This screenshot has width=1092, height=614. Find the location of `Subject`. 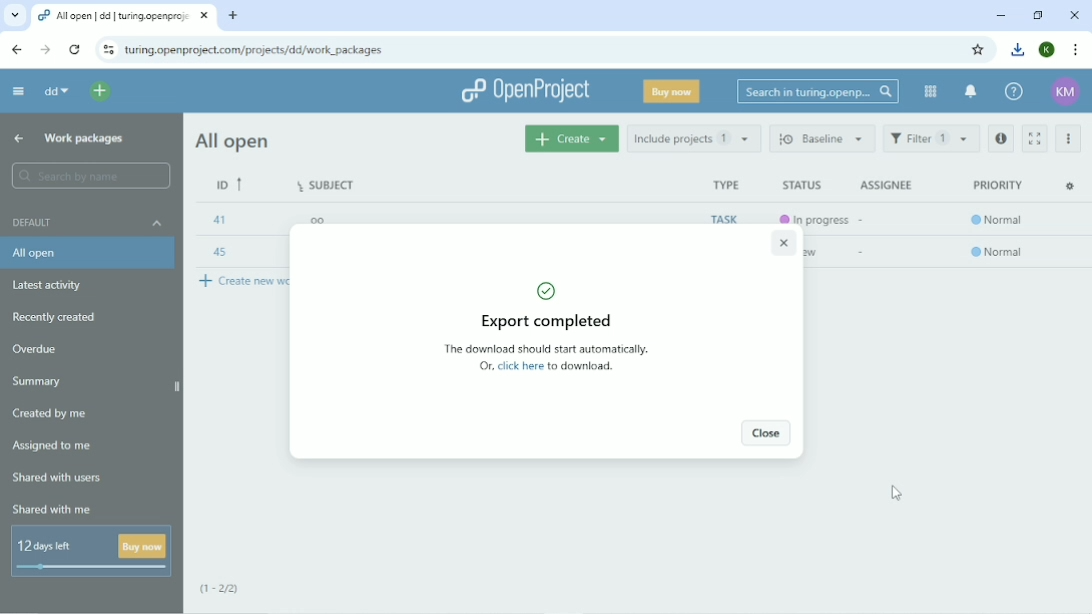

Subject is located at coordinates (328, 183).